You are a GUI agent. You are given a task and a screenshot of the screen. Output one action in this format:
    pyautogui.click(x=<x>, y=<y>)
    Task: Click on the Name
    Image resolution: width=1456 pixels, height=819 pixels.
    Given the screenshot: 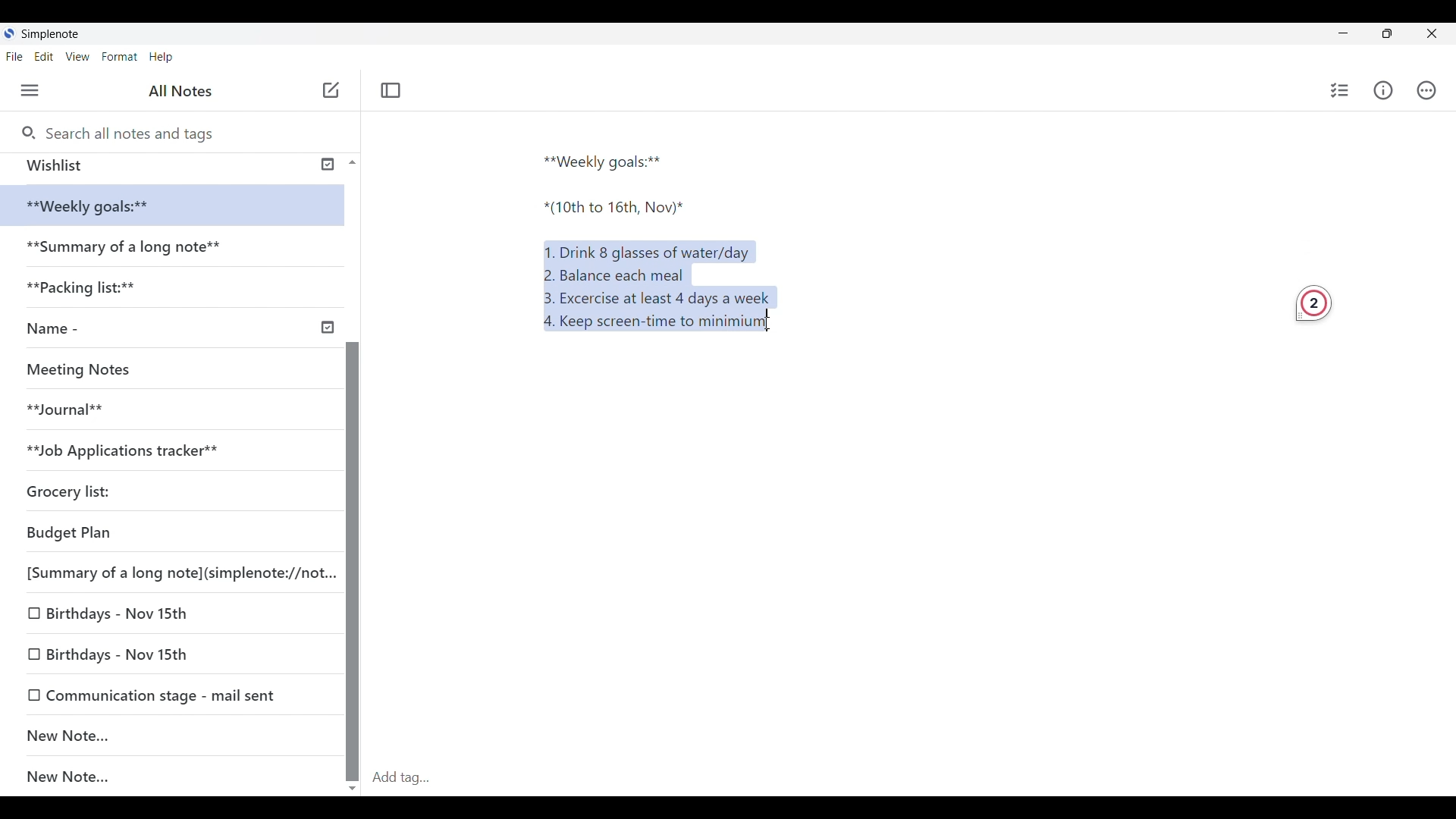 What is the action you would take?
    pyautogui.click(x=177, y=329)
    